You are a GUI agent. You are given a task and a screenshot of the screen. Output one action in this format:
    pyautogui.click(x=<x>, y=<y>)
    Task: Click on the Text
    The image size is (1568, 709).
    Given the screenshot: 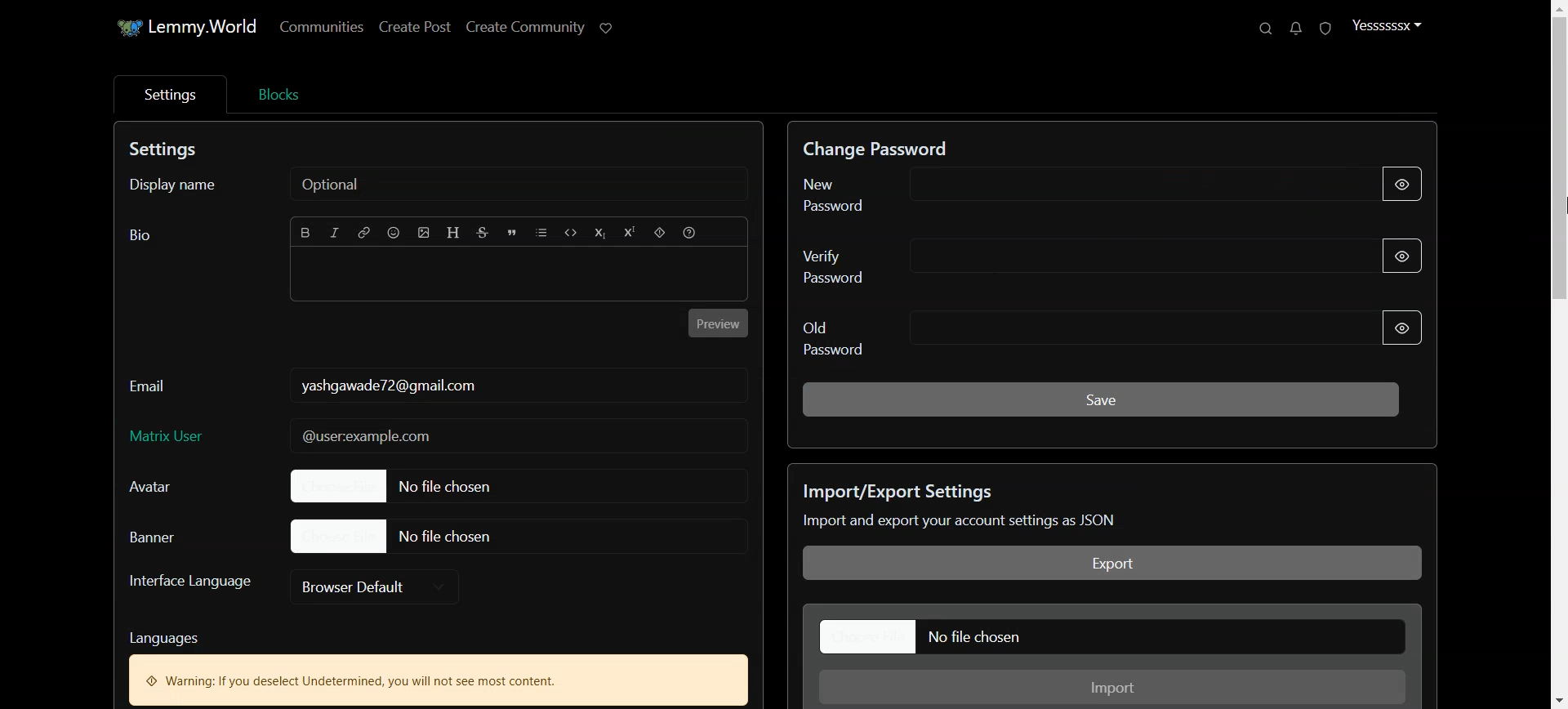 What is the action you would take?
    pyautogui.click(x=171, y=149)
    